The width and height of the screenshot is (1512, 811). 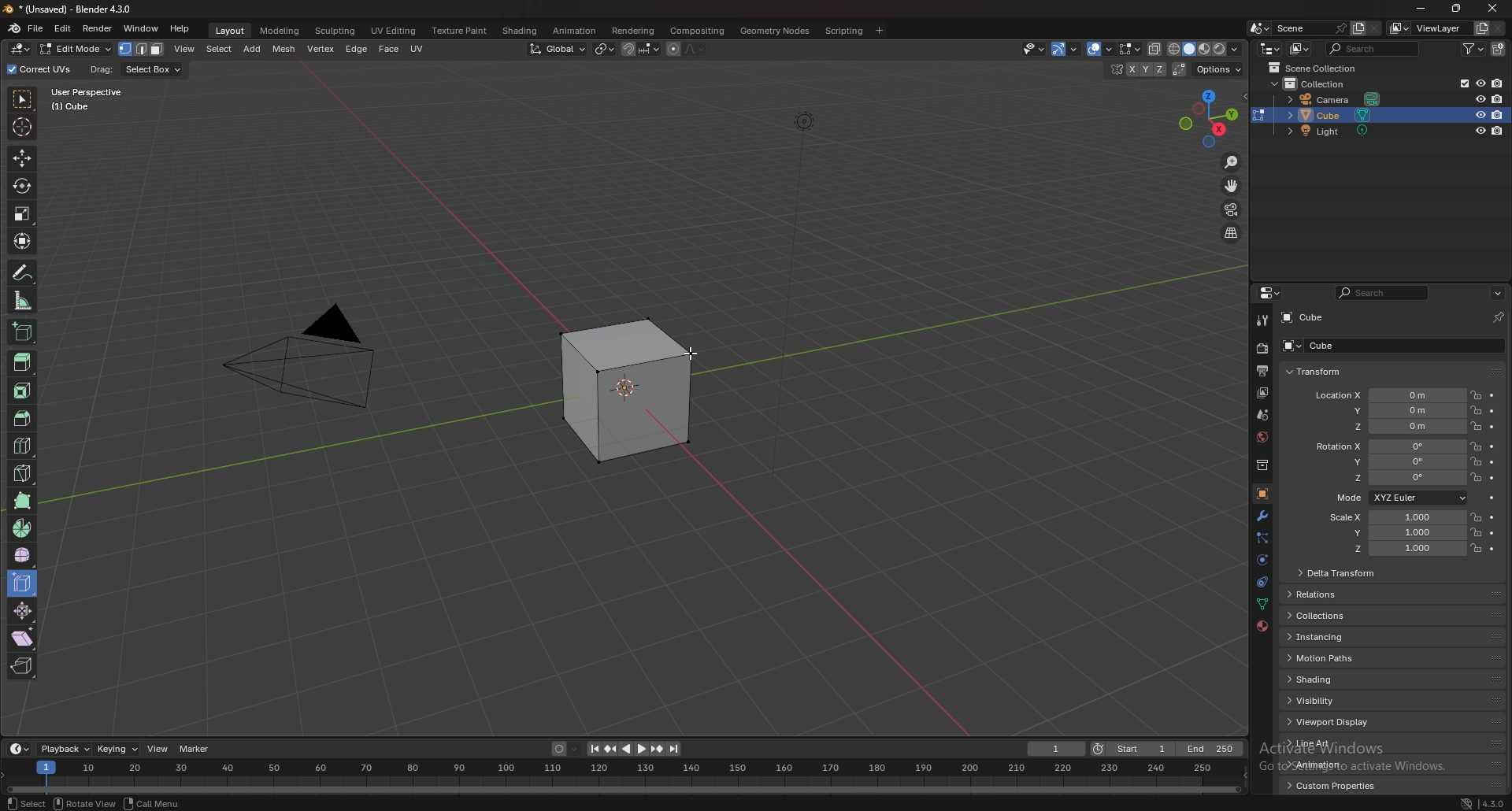 What do you see at coordinates (23, 301) in the screenshot?
I see `measure` at bounding box center [23, 301].